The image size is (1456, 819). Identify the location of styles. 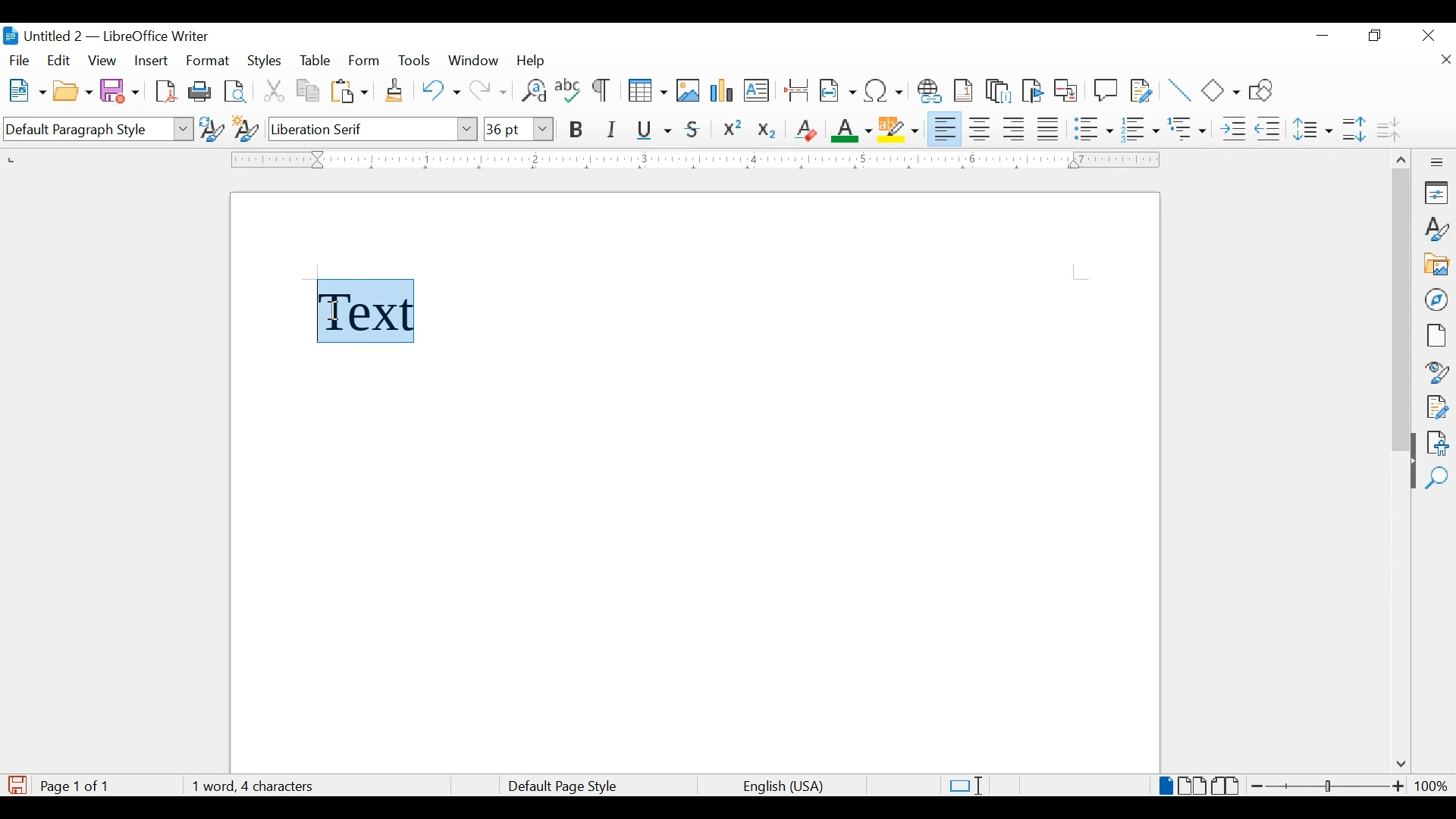
(1438, 229).